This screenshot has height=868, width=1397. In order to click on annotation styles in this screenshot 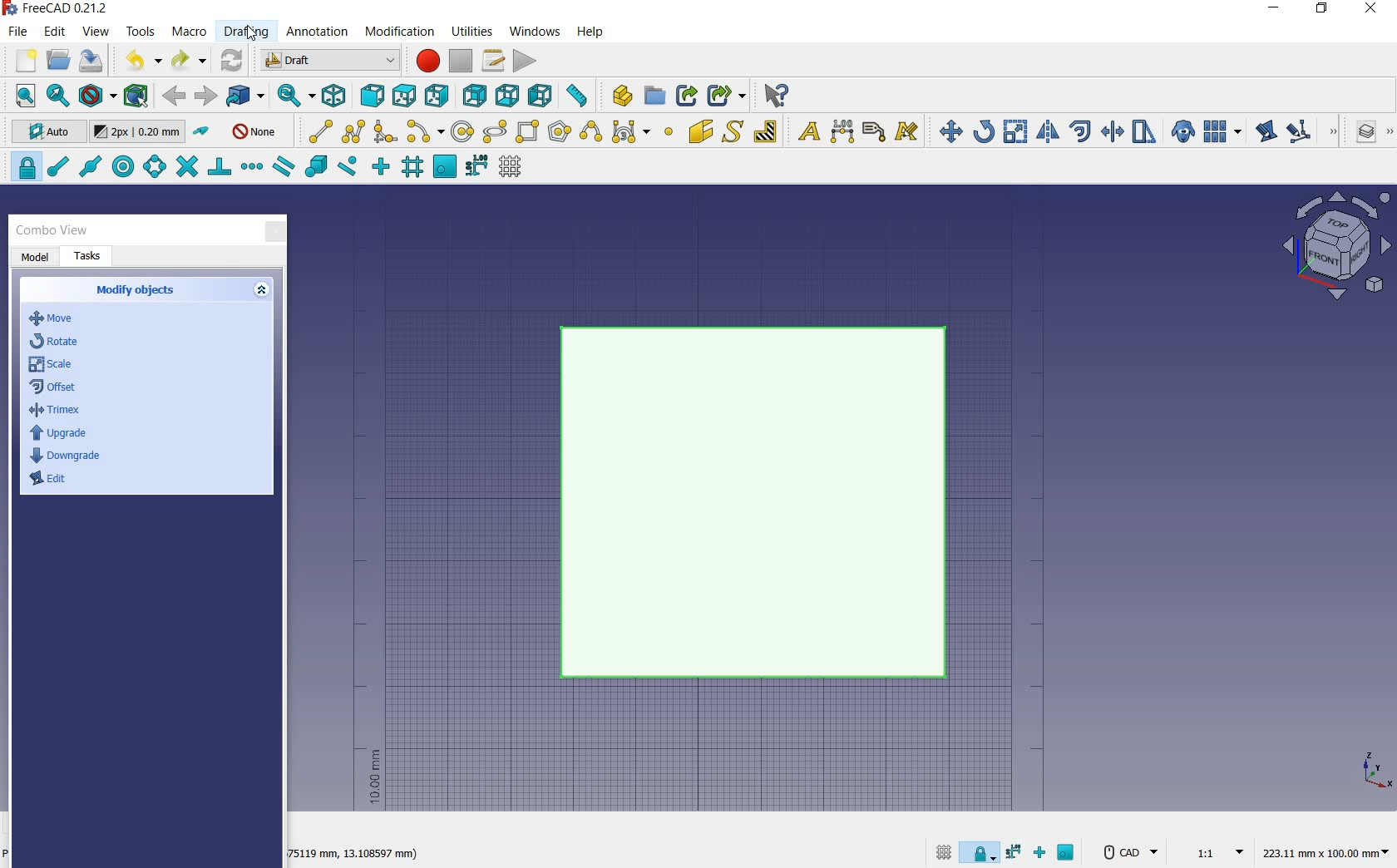, I will do `click(908, 134)`.